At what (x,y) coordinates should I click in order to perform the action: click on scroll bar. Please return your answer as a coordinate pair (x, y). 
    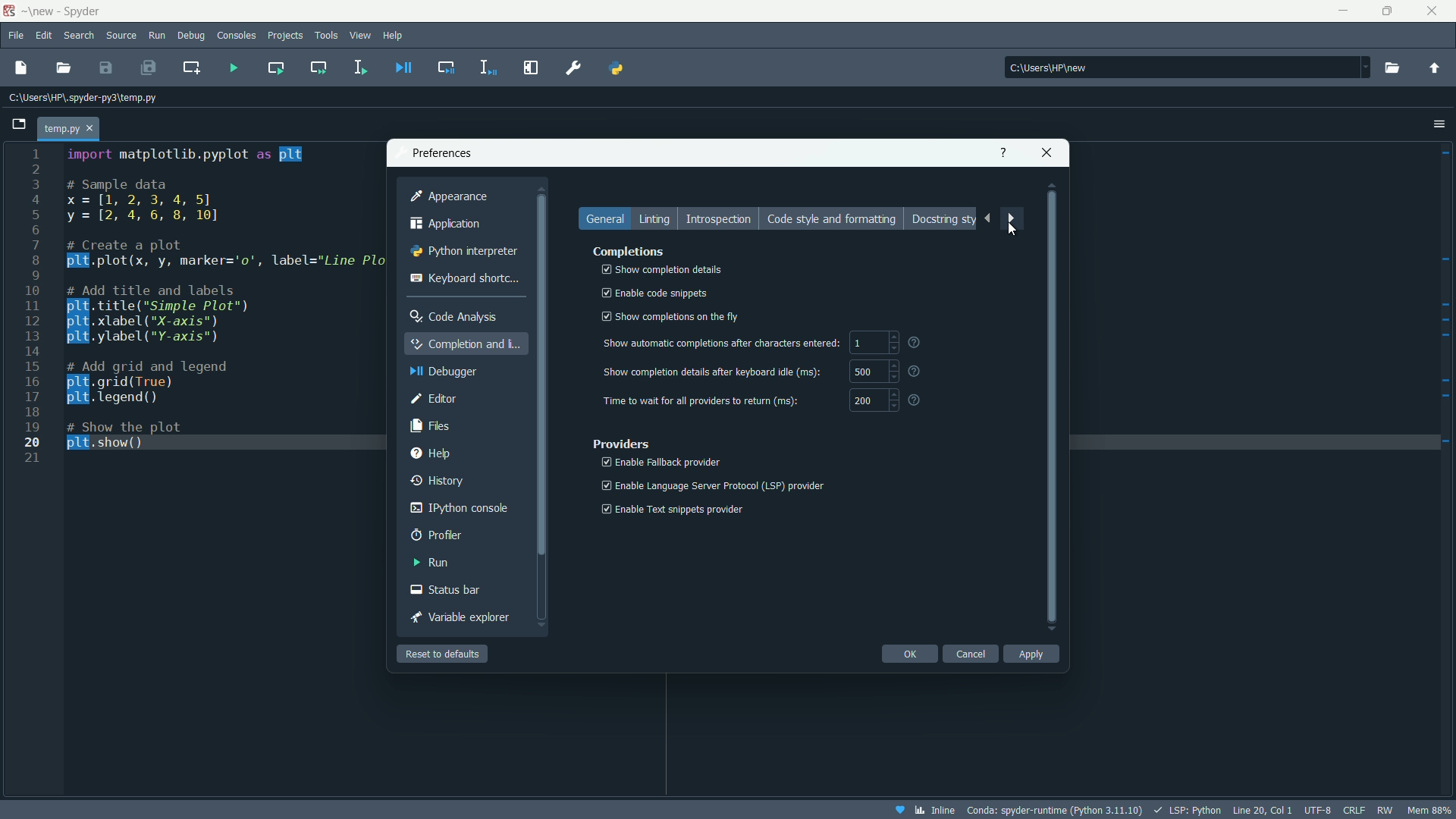
    Looking at the image, I should click on (1053, 408).